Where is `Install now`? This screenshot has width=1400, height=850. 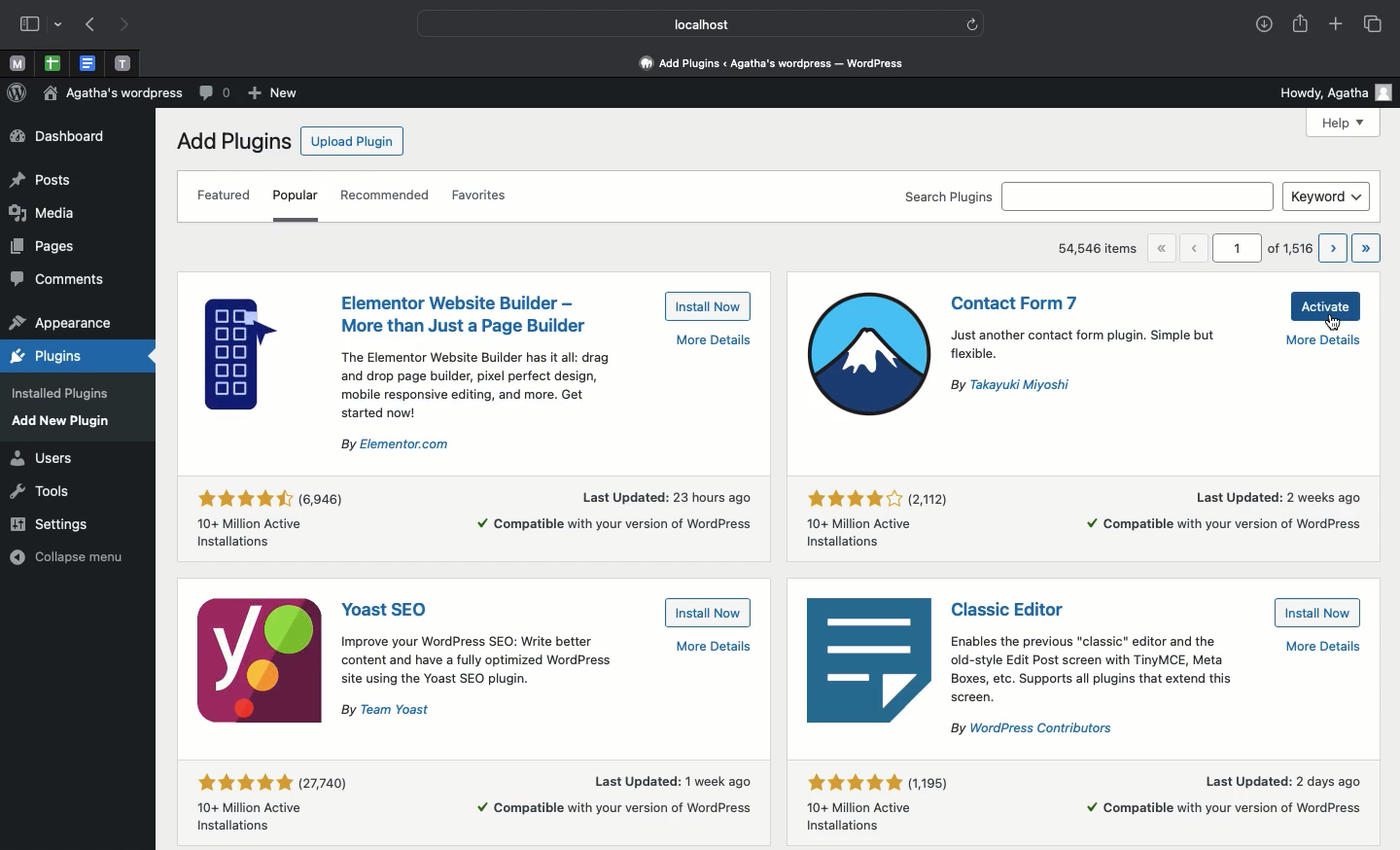 Install now is located at coordinates (706, 613).